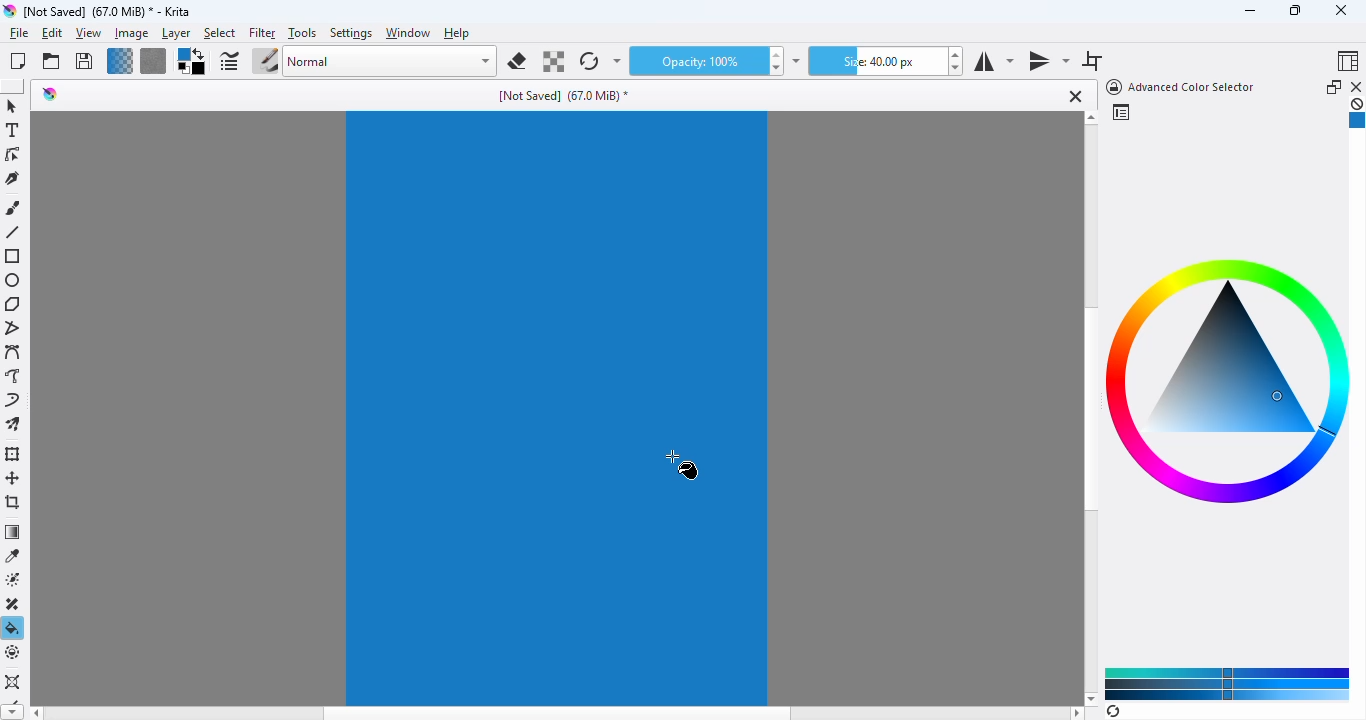 The image size is (1366, 720). Describe the element at coordinates (18, 61) in the screenshot. I see `create new document` at that location.